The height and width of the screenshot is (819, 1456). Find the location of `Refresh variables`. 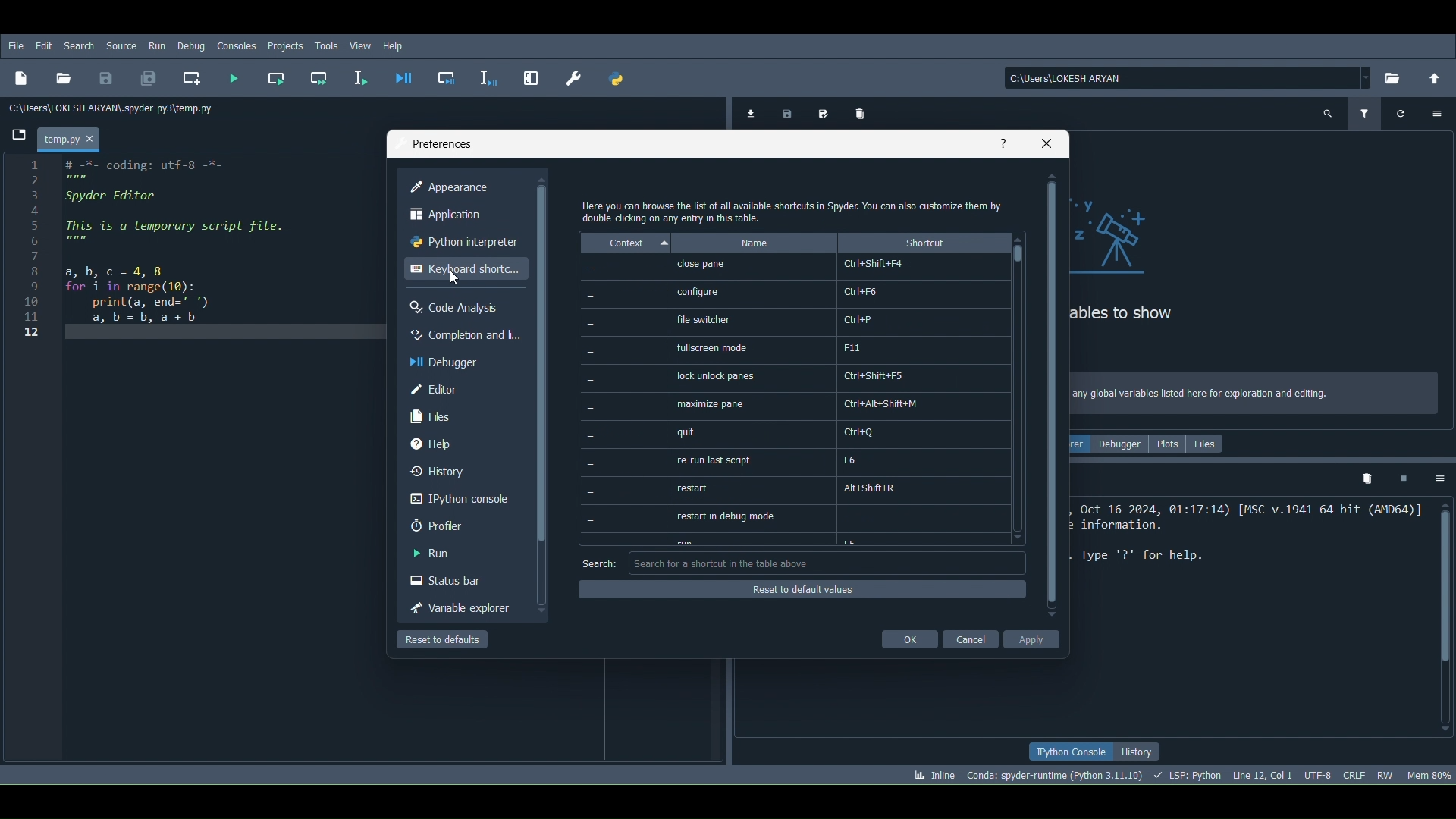

Refresh variables is located at coordinates (1402, 111).